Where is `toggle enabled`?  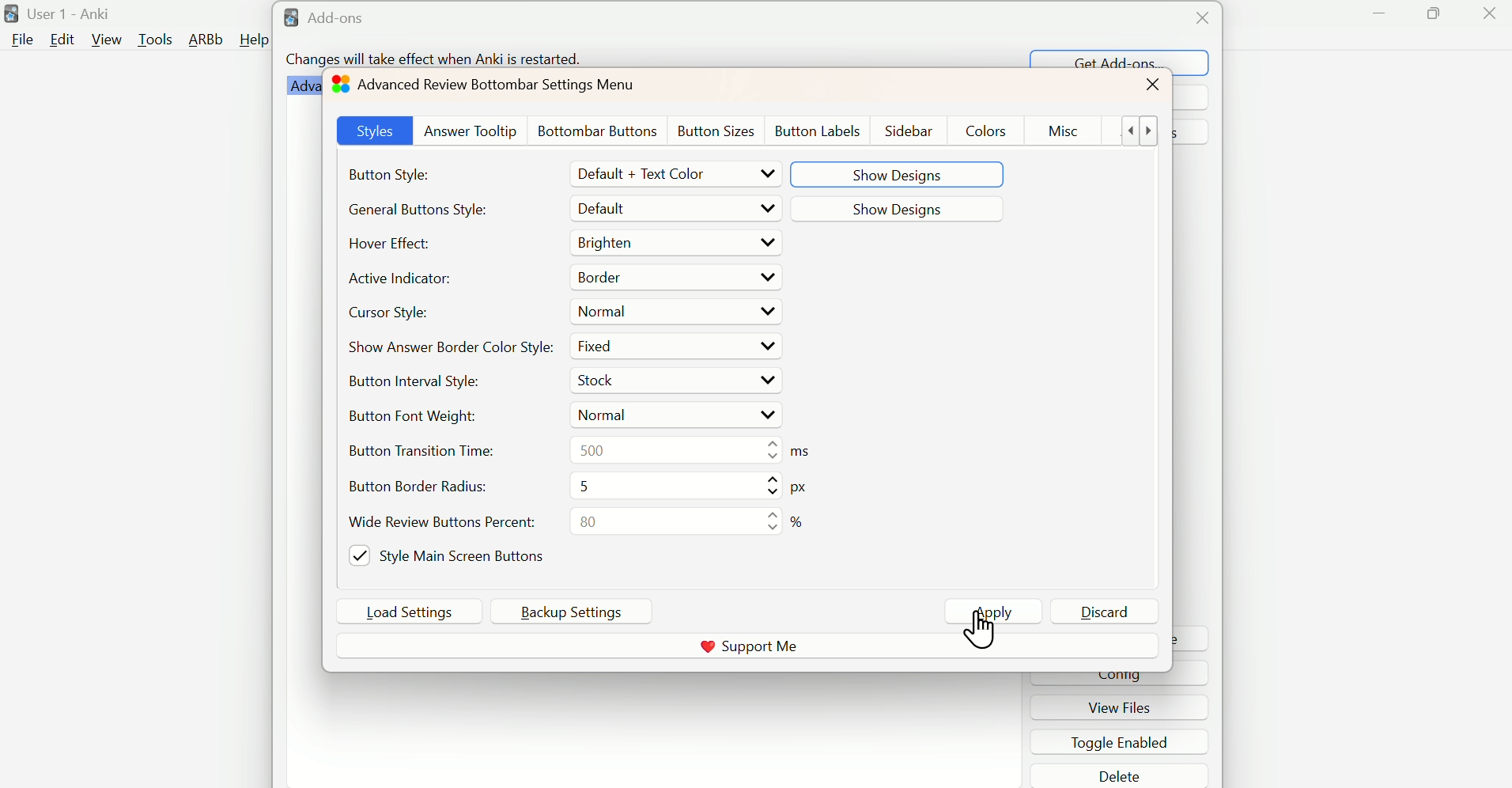
toggle enabled is located at coordinates (1127, 742).